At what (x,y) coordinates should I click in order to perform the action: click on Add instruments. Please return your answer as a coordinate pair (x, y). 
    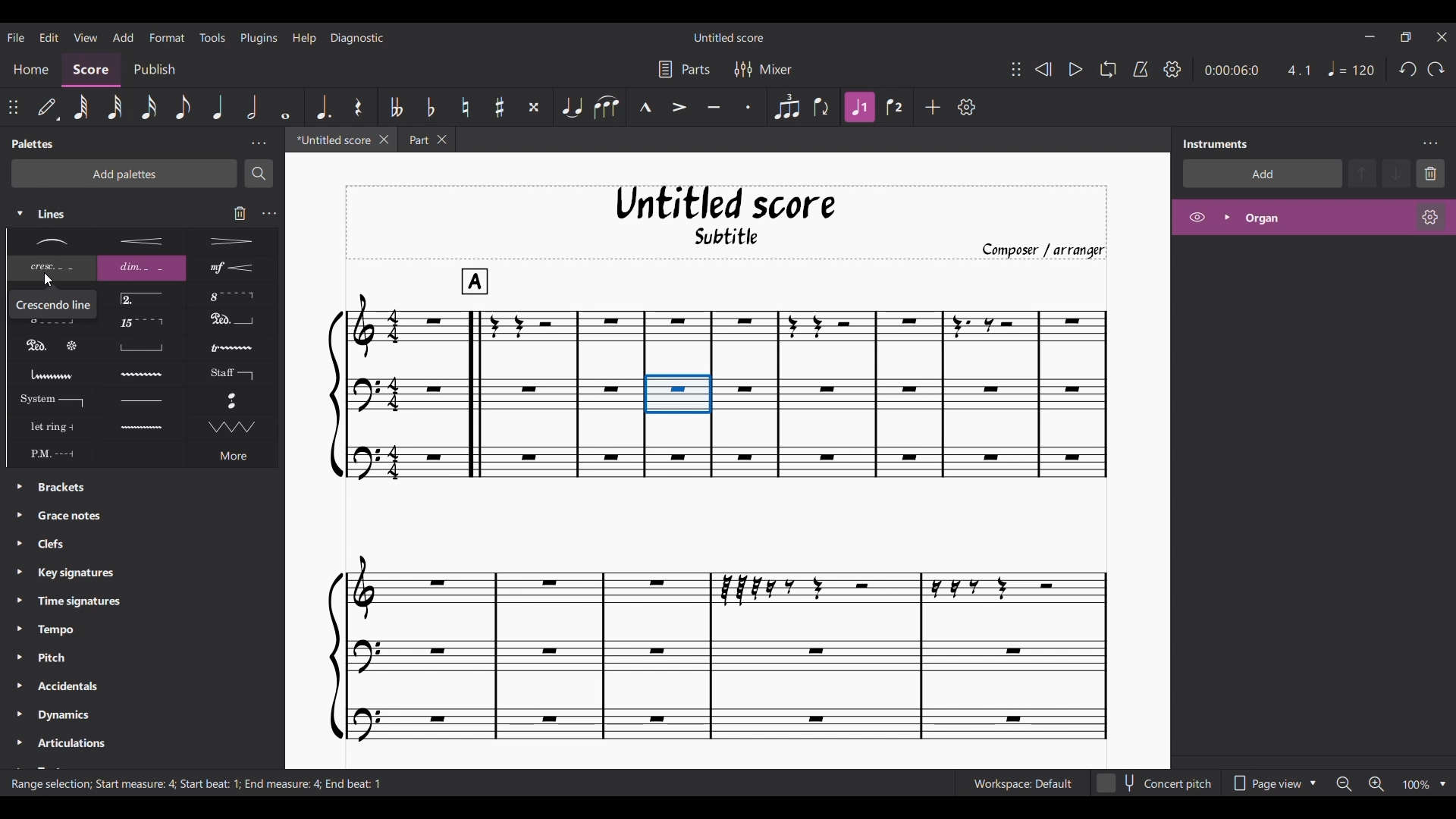
    Looking at the image, I should click on (1263, 174).